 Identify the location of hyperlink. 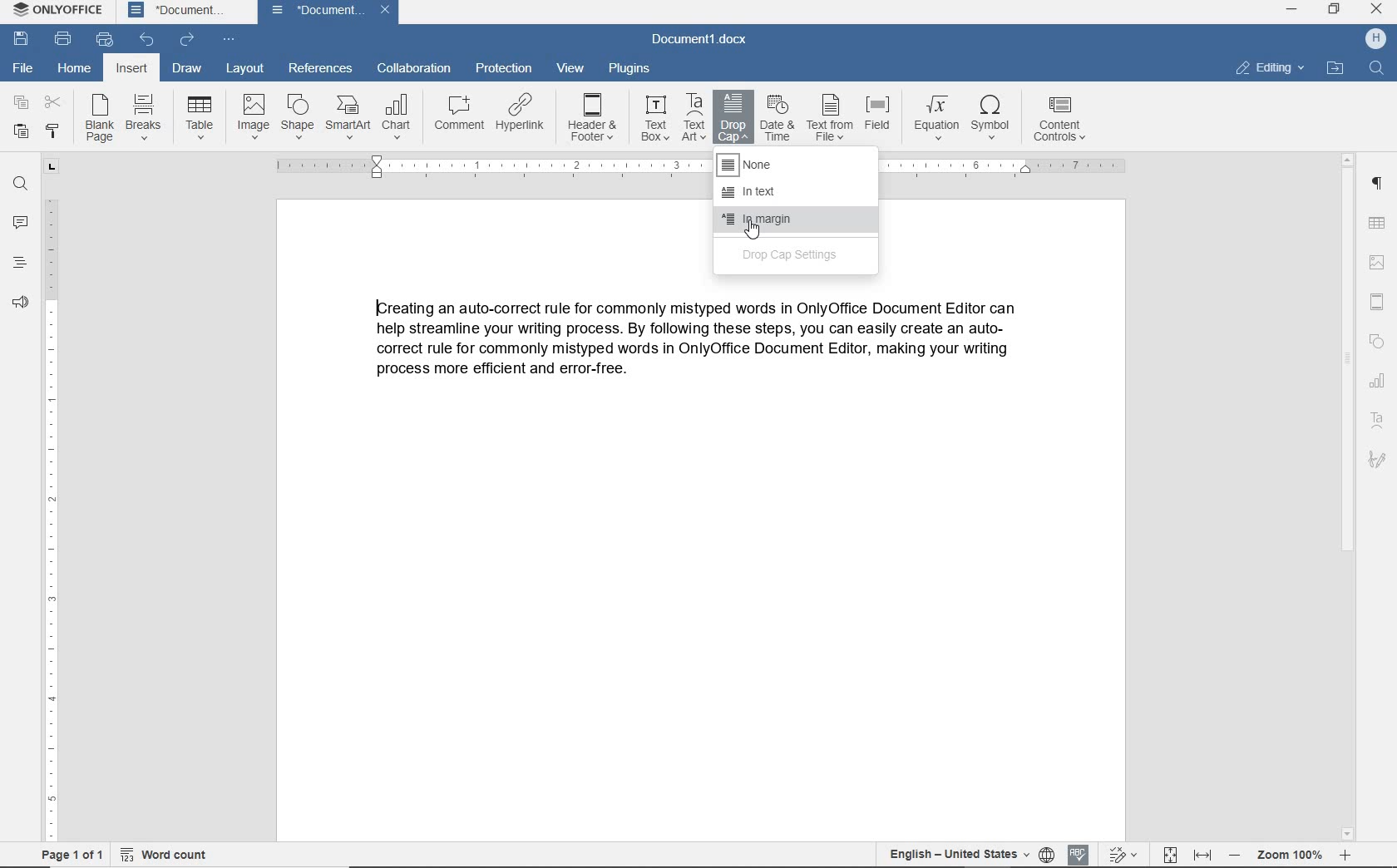
(525, 118).